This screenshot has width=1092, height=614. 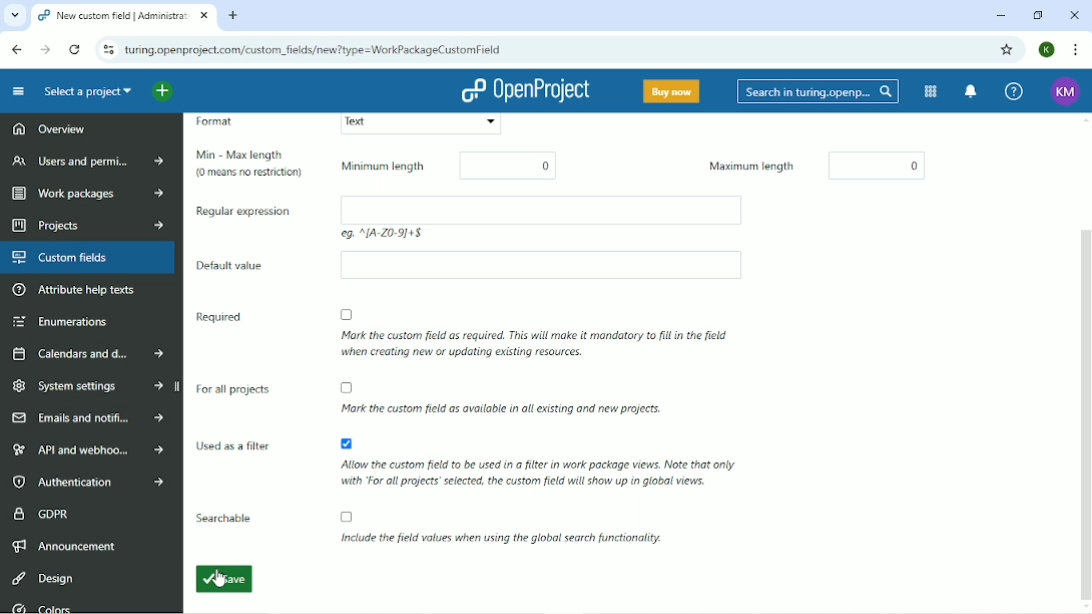 What do you see at coordinates (553, 209) in the screenshot?
I see `empty box` at bounding box center [553, 209].